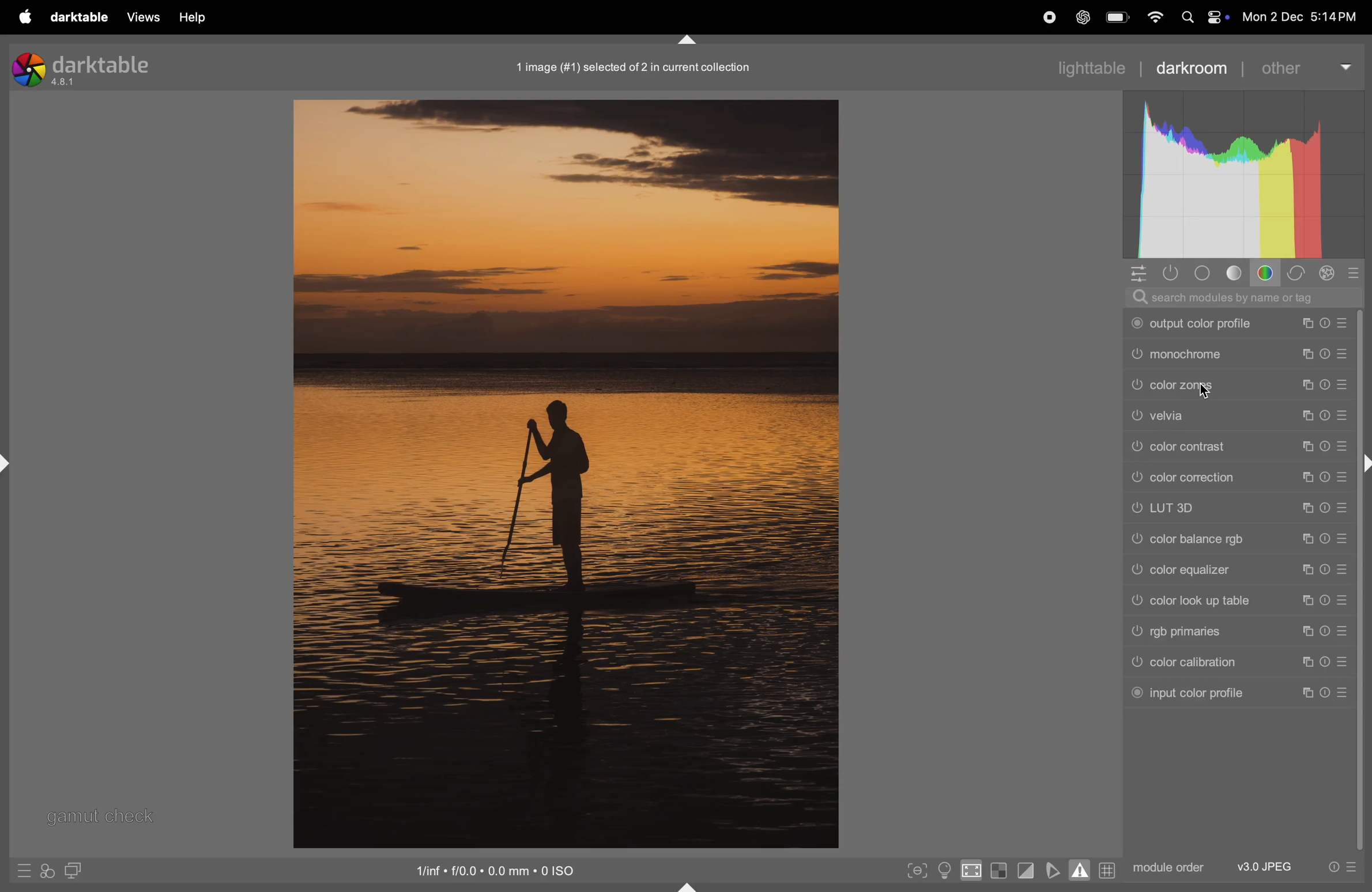 This screenshot has width=1372, height=892. What do you see at coordinates (1342, 415) in the screenshot?
I see `Preset` at bounding box center [1342, 415].